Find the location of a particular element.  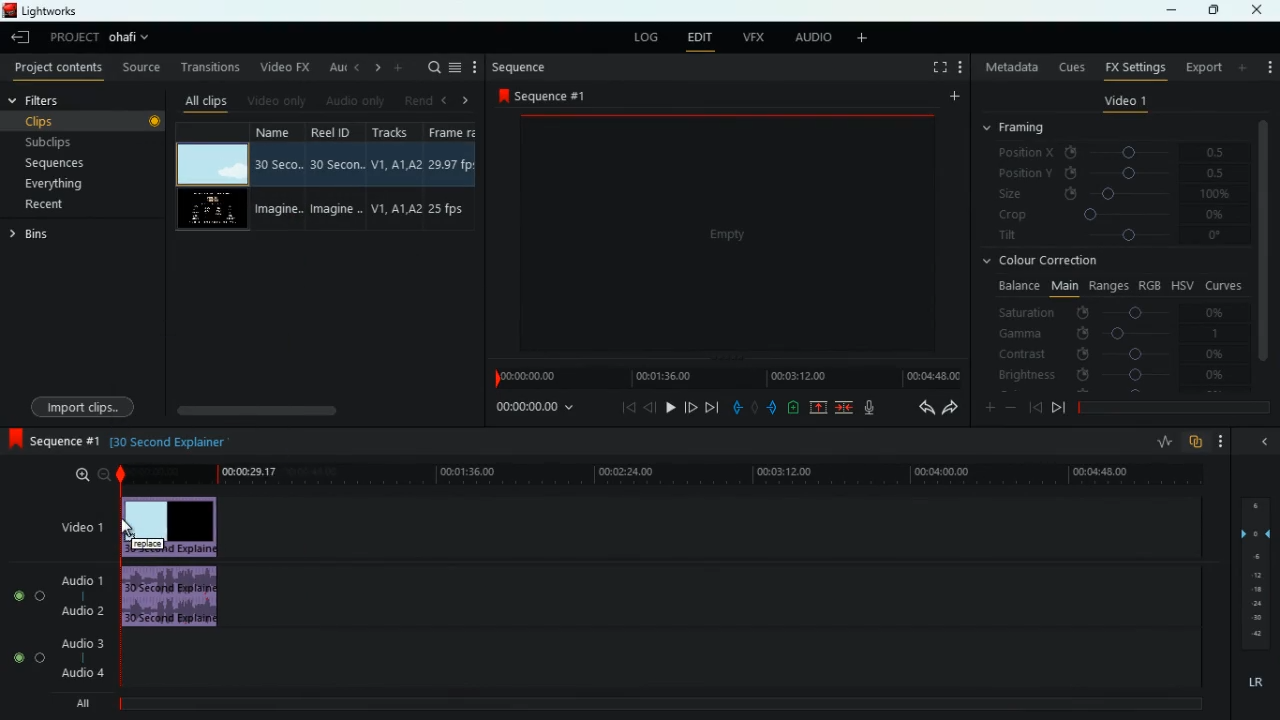

add is located at coordinates (952, 97).